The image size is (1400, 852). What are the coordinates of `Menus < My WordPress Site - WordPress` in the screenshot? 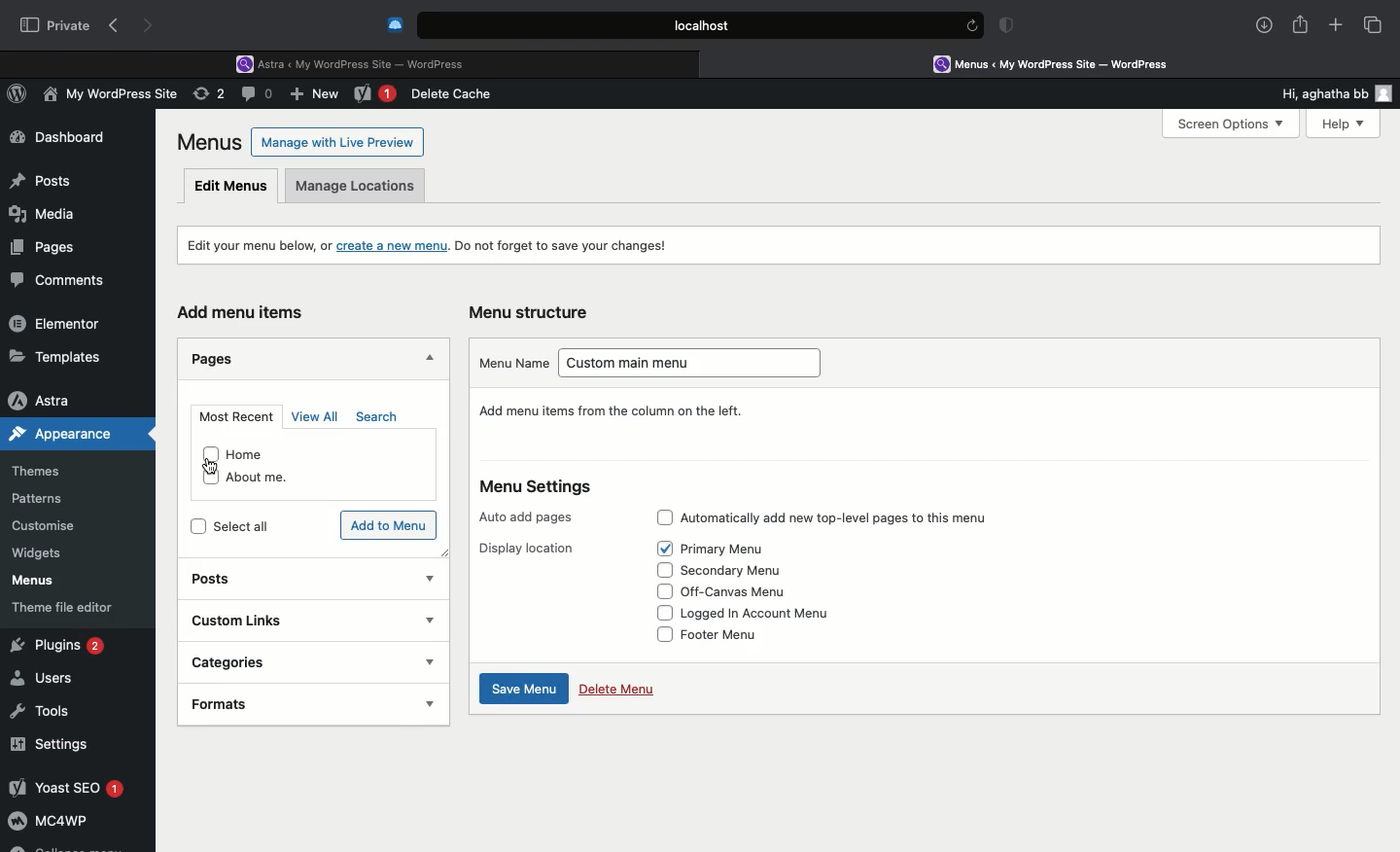 It's located at (1066, 63).